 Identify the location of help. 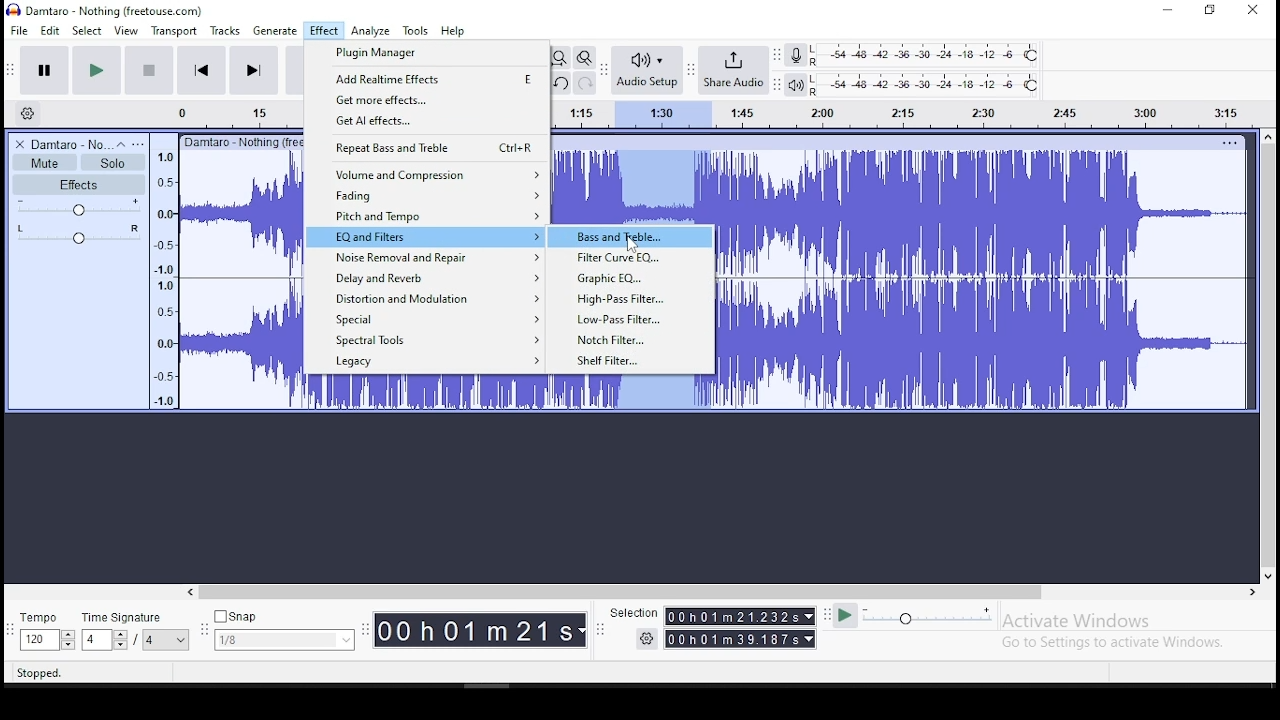
(453, 32).